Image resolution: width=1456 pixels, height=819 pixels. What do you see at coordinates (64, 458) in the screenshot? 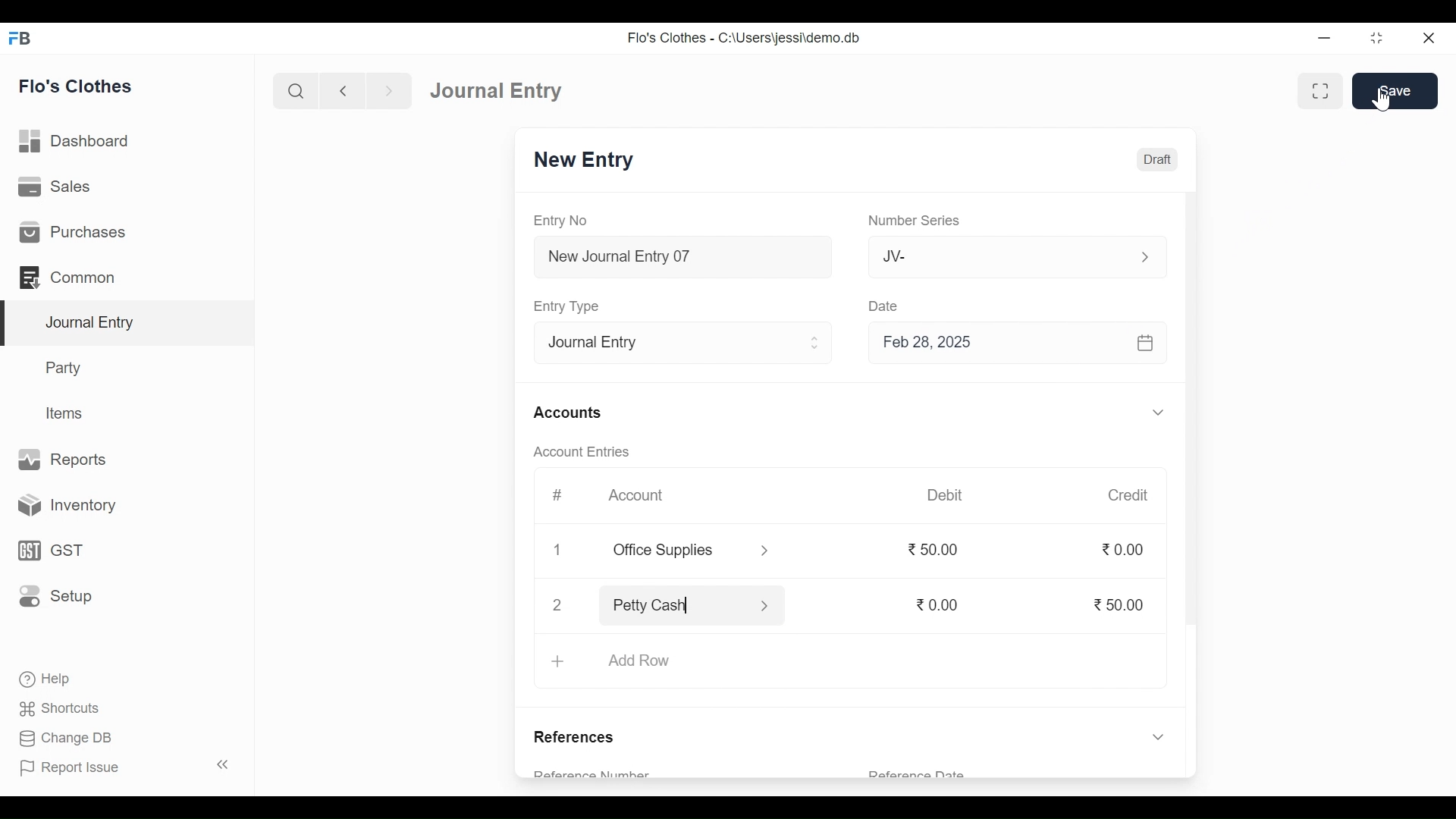
I see `Reports` at bounding box center [64, 458].